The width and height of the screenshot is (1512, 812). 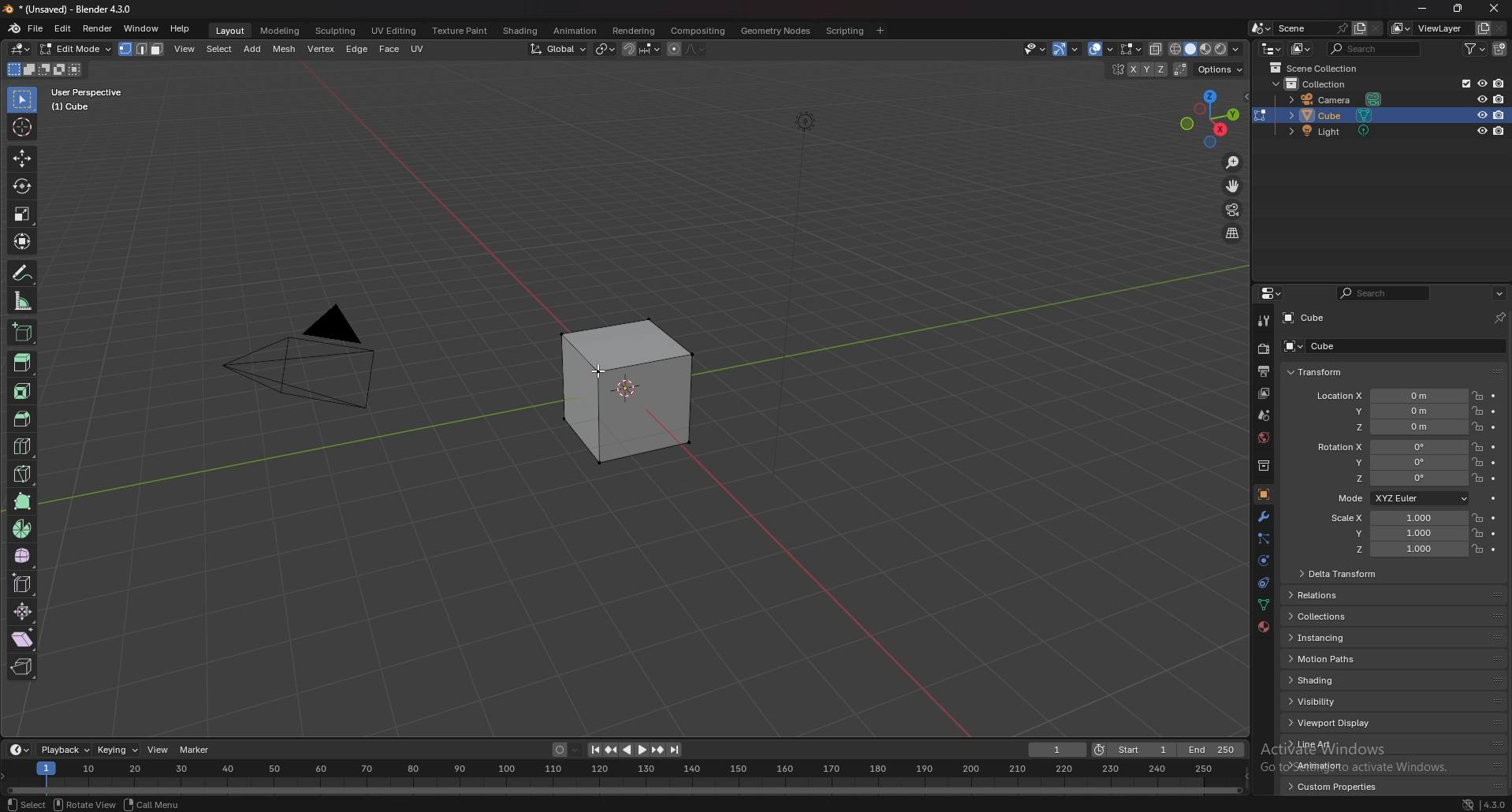 What do you see at coordinates (88, 803) in the screenshot?
I see `rotate view` at bounding box center [88, 803].